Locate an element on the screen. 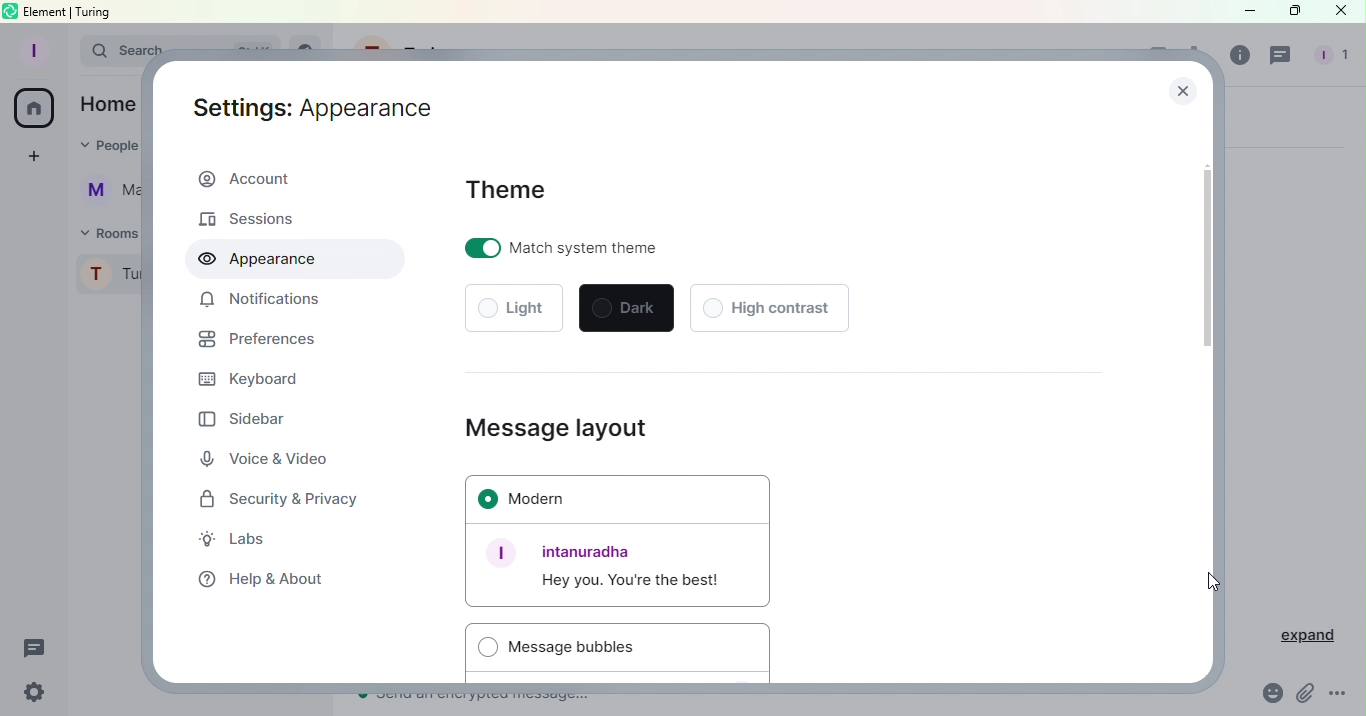 The height and width of the screenshot is (716, 1366). Light is located at coordinates (514, 307).